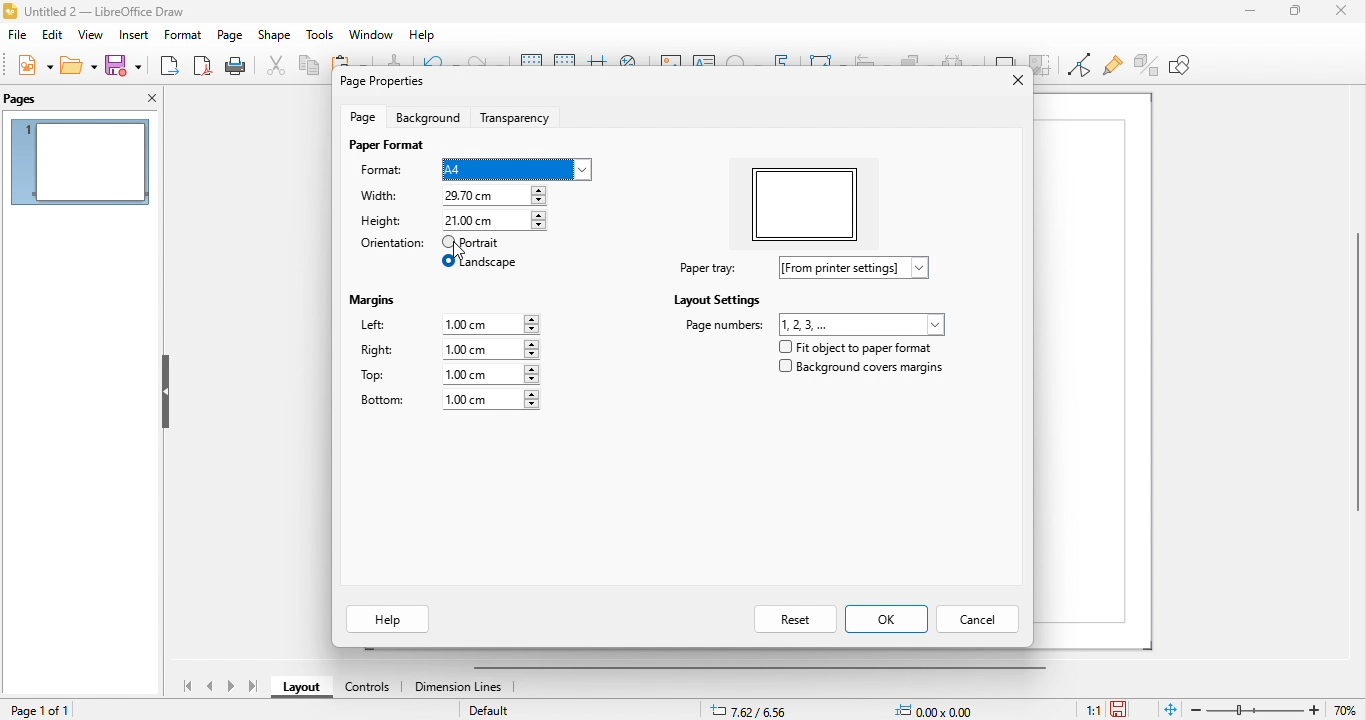 The height and width of the screenshot is (720, 1366). What do you see at coordinates (492, 196) in the screenshot?
I see `29.70 cm` at bounding box center [492, 196].